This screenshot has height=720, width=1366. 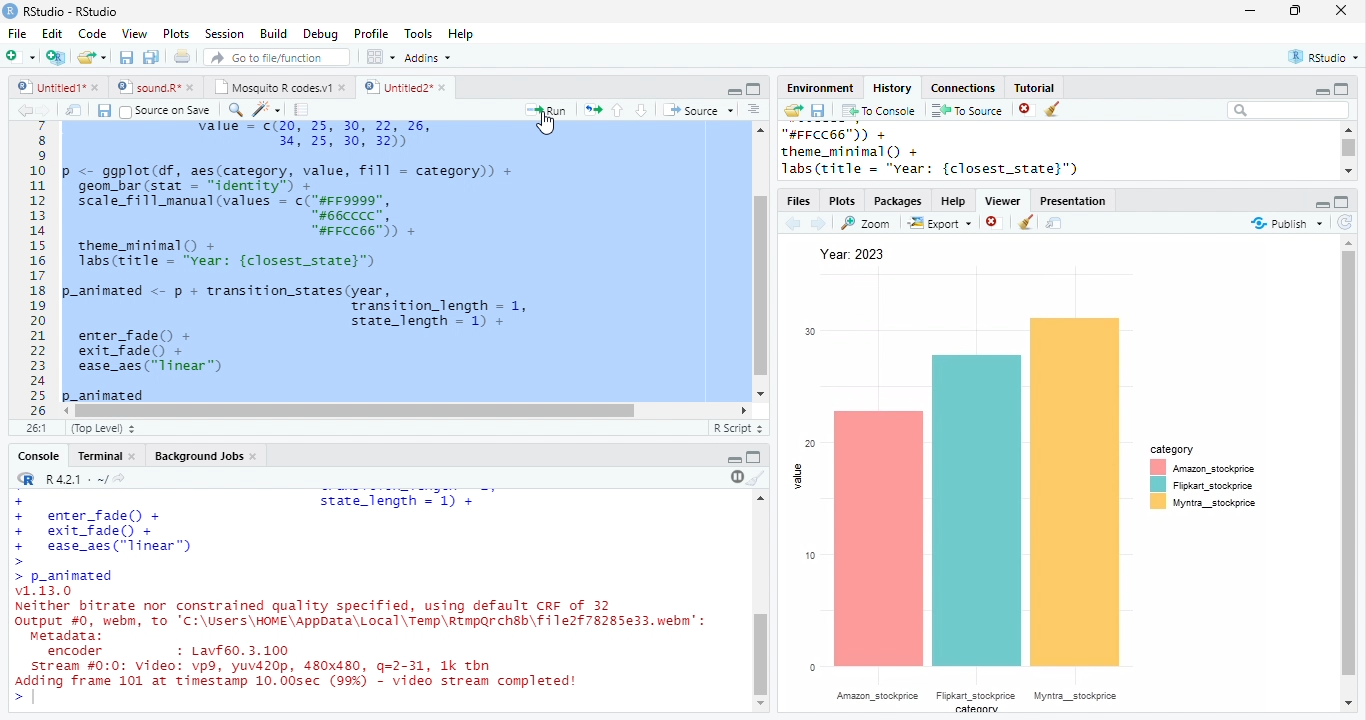 What do you see at coordinates (379, 57) in the screenshot?
I see `options` at bounding box center [379, 57].